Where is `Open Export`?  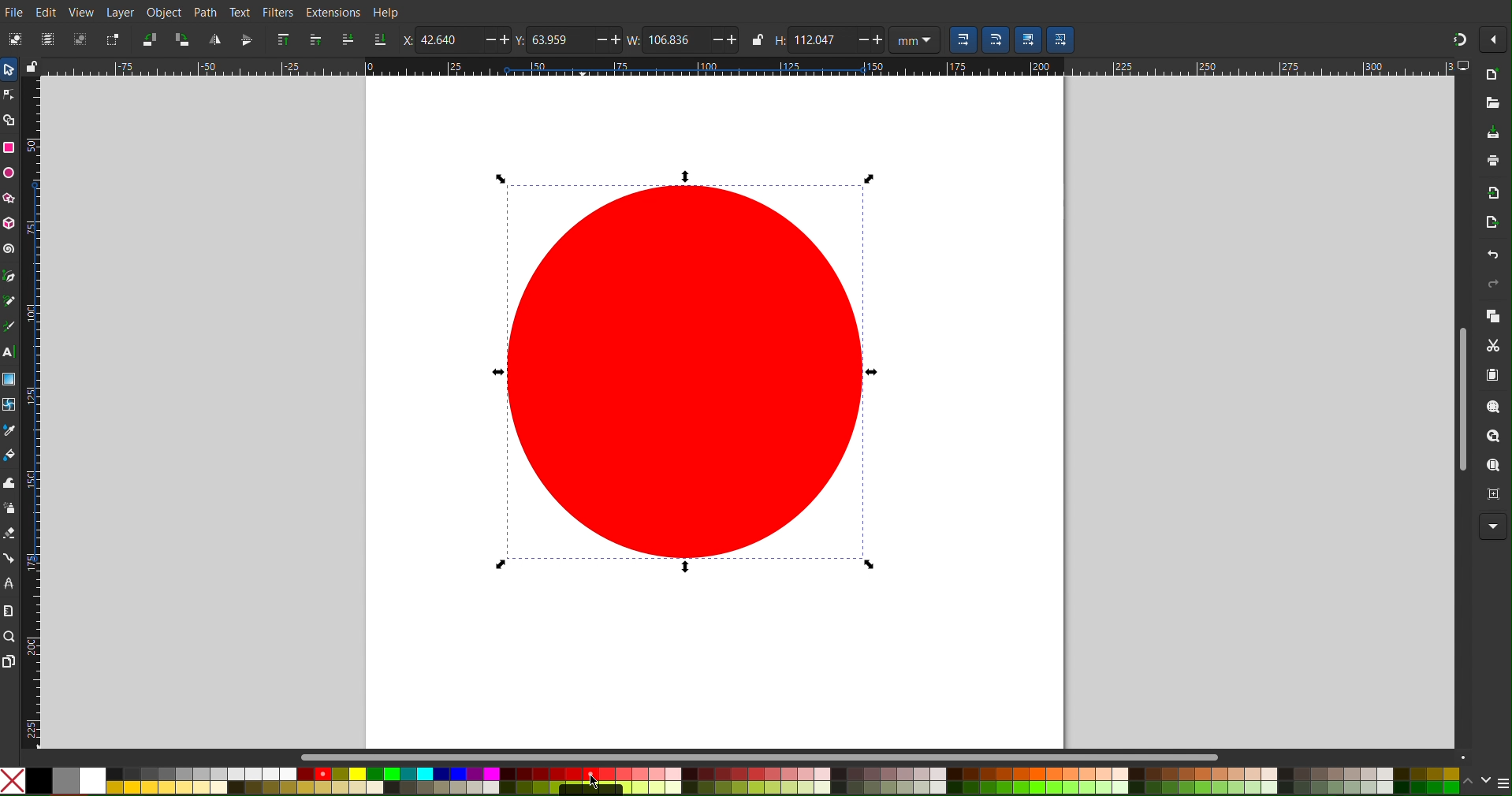 Open Export is located at coordinates (1492, 224).